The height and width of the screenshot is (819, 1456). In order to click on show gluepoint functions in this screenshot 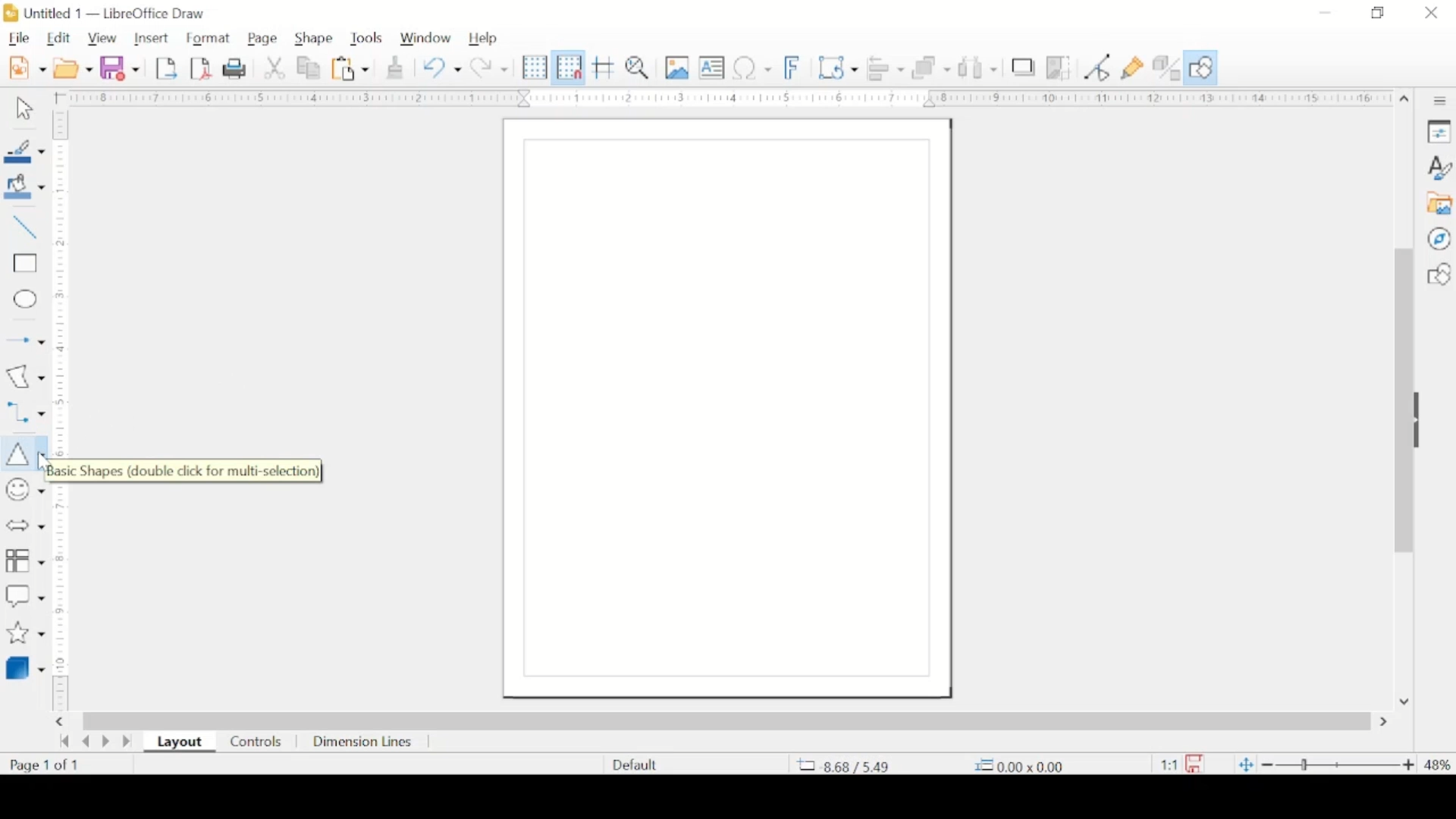, I will do `click(1132, 68)`.